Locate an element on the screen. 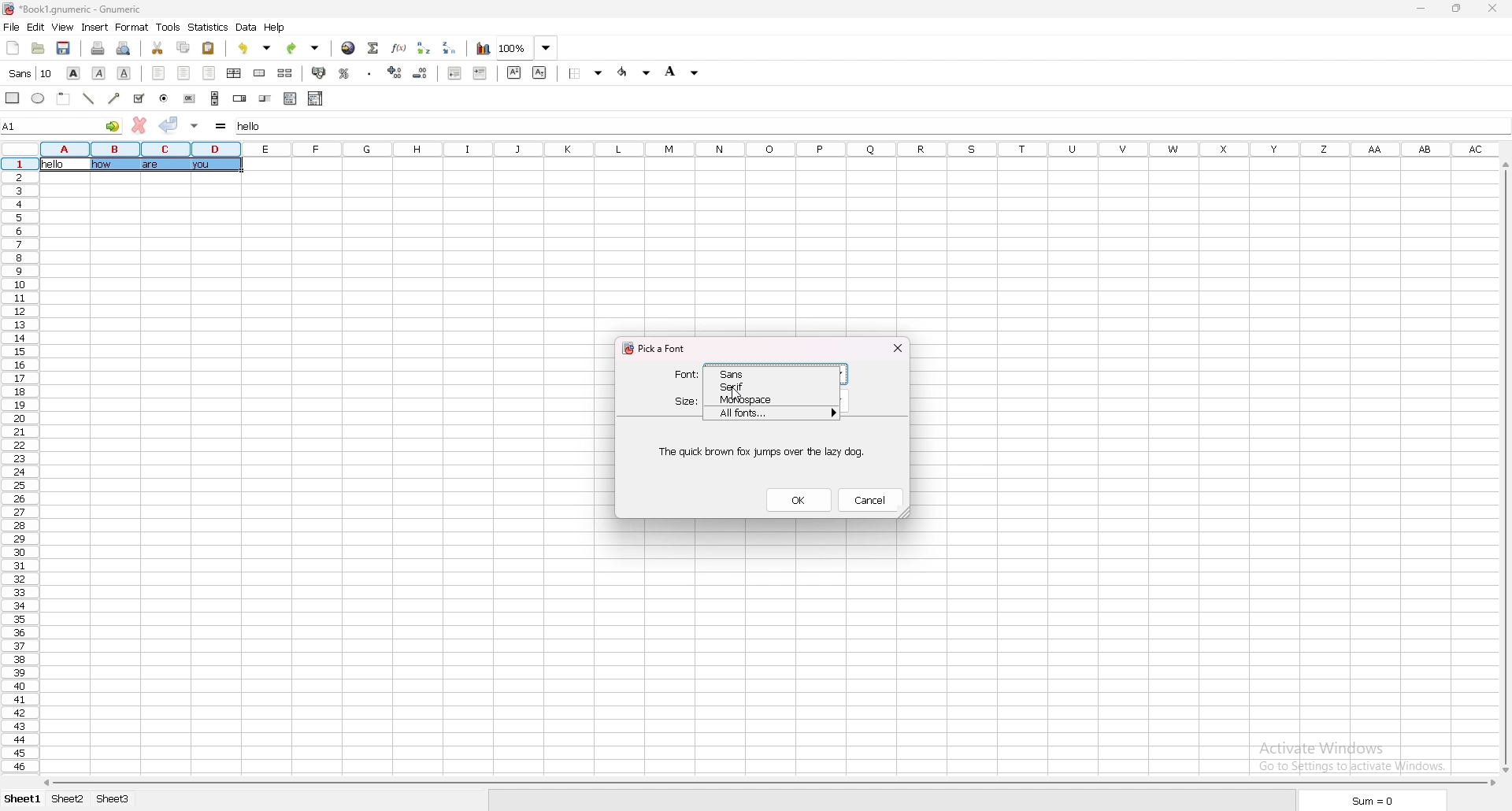  border is located at coordinates (586, 73).